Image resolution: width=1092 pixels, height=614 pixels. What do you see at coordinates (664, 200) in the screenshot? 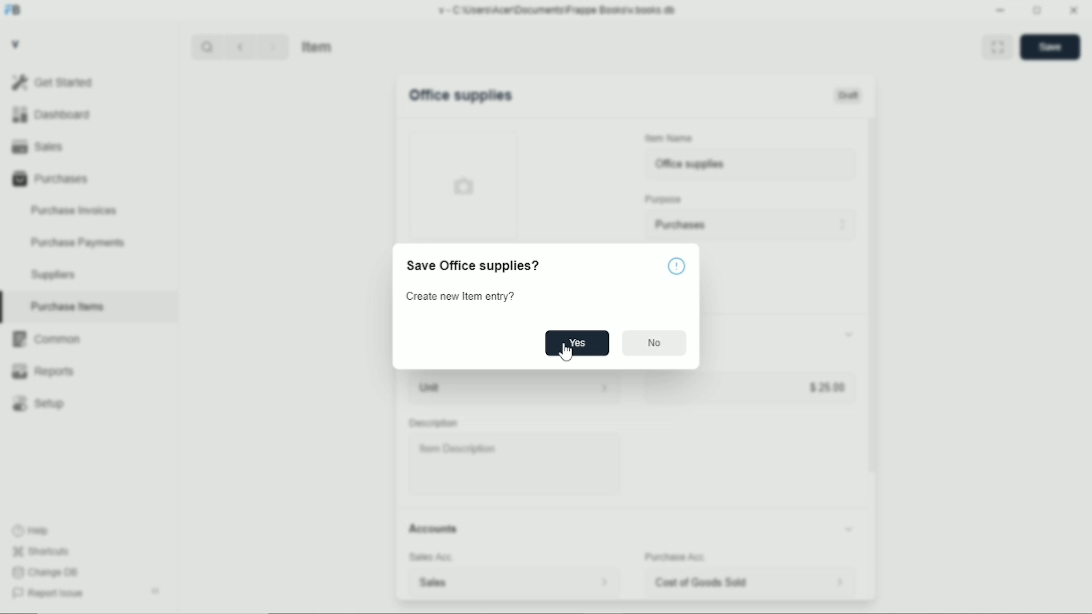
I see `purpose` at bounding box center [664, 200].